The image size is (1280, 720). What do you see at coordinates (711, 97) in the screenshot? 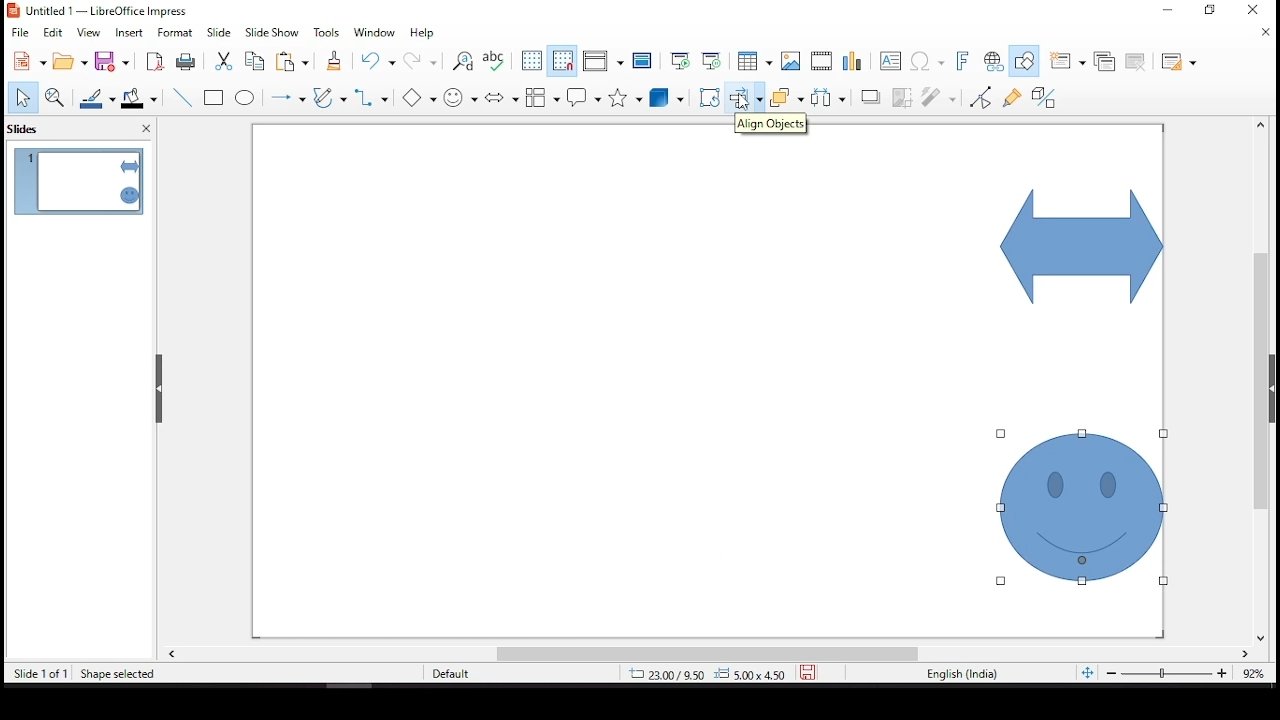
I see `rotate` at bounding box center [711, 97].